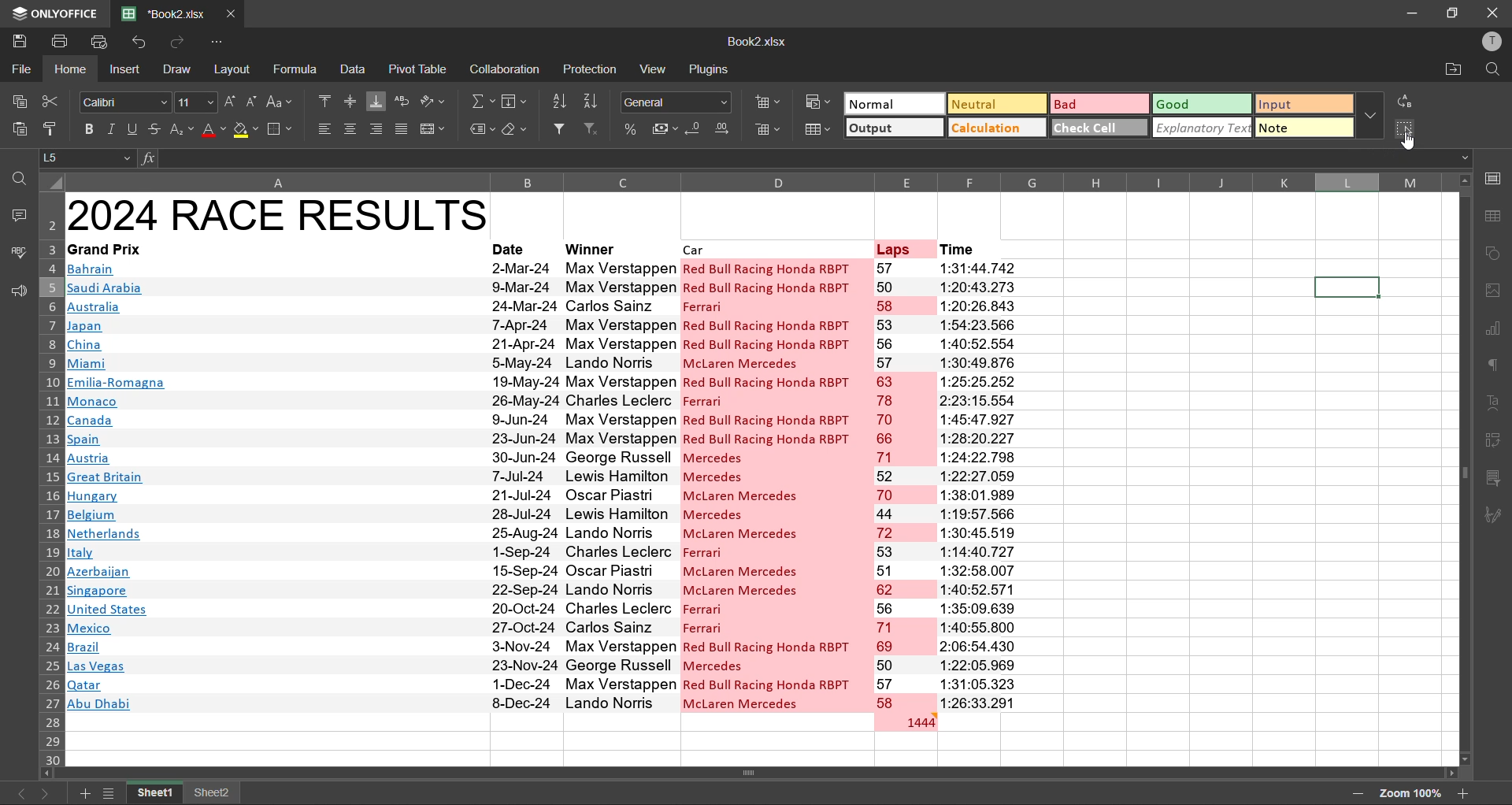  What do you see at coordinates (354, 69) in the screenshot?
I see `data` at bounding box center [354, 69].